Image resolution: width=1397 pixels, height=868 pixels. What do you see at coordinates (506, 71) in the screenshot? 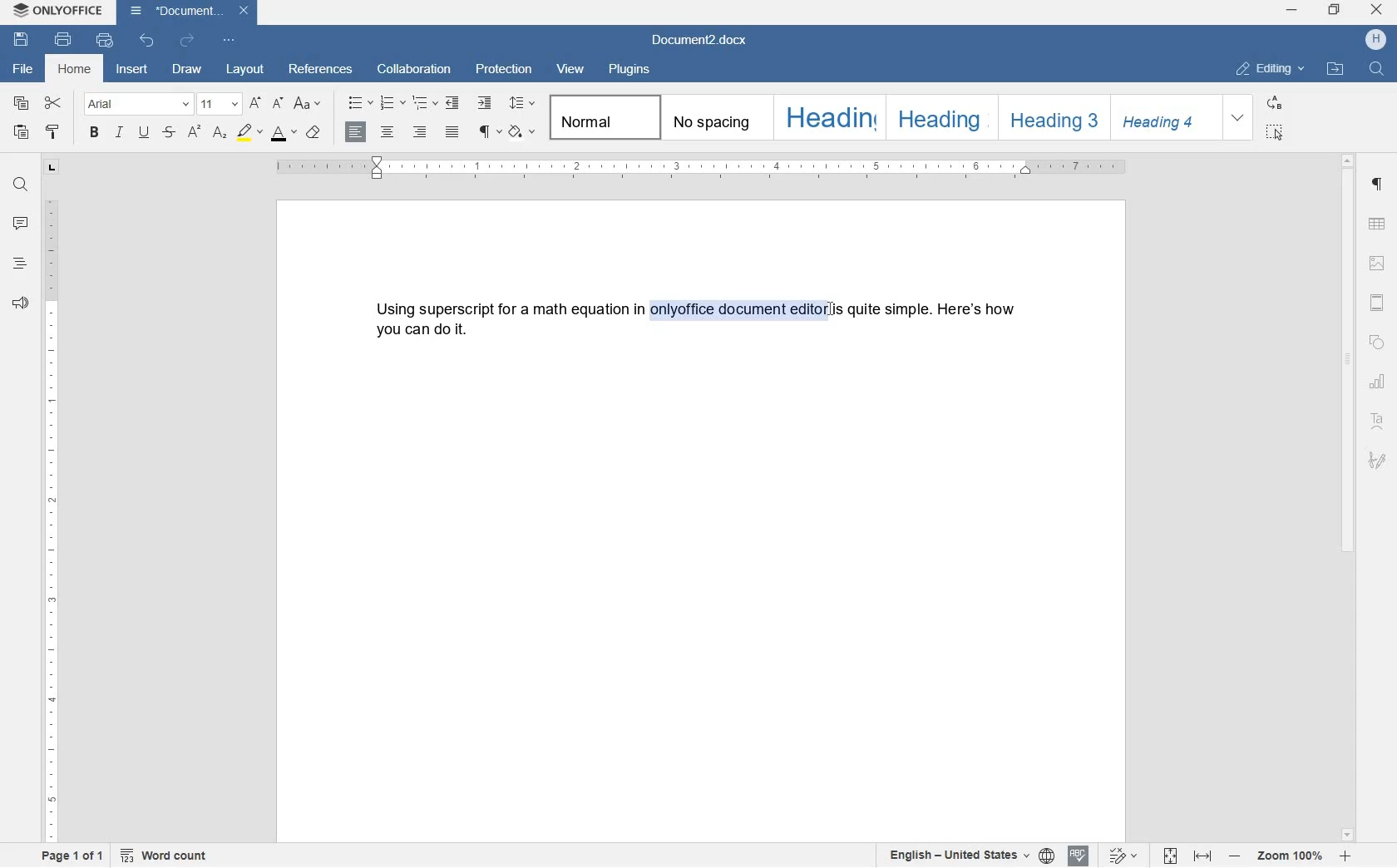
I see `protection` at bounding box center [506, 71].